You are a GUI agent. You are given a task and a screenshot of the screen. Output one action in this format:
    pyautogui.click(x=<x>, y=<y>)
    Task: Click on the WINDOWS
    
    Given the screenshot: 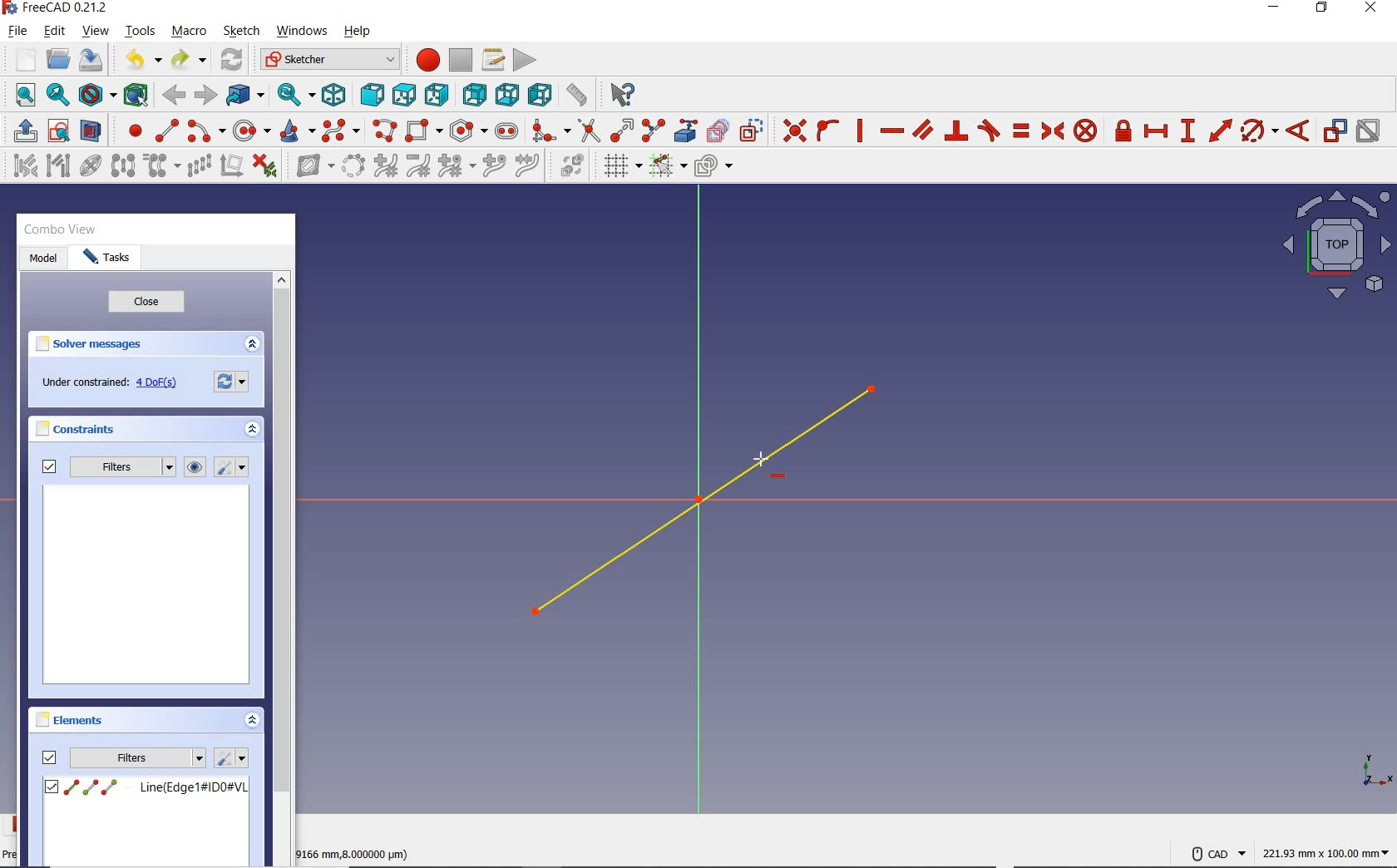 What is the action you would take?
    pyautogui.click(x=301, y=30)
    